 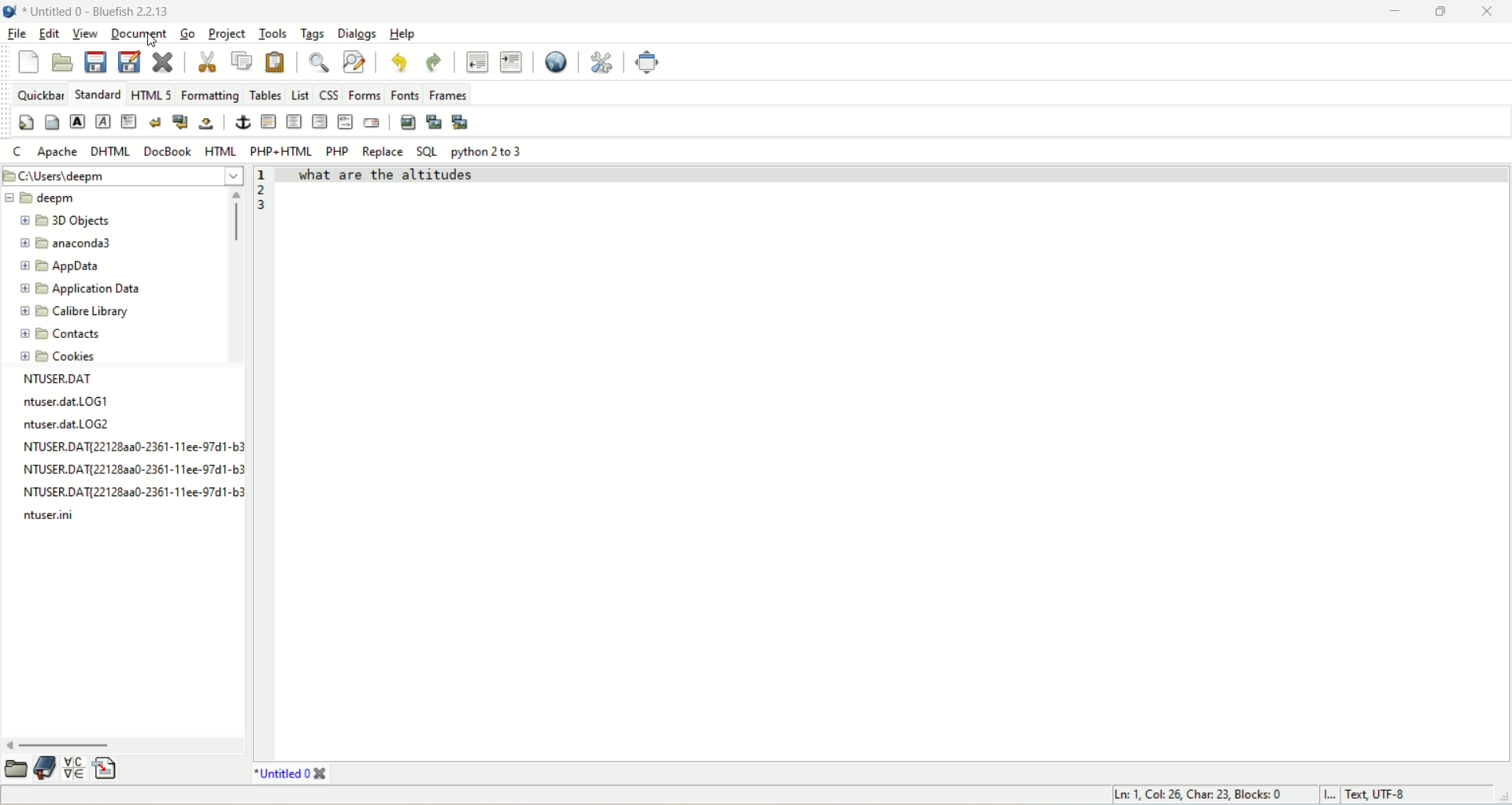 I want to click on unindent, so click(x=476, y=61).